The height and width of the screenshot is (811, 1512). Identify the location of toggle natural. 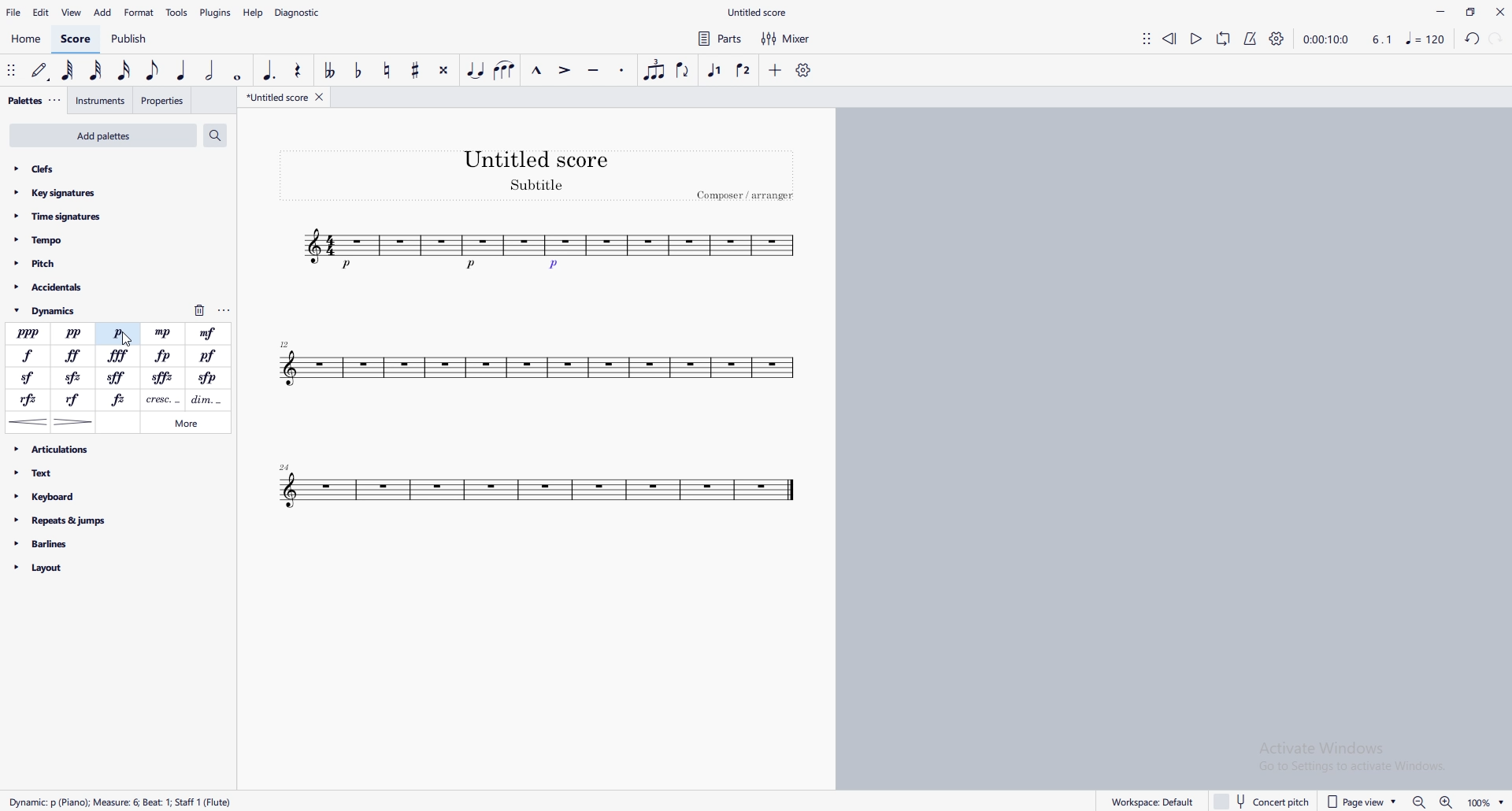
(387, 69).